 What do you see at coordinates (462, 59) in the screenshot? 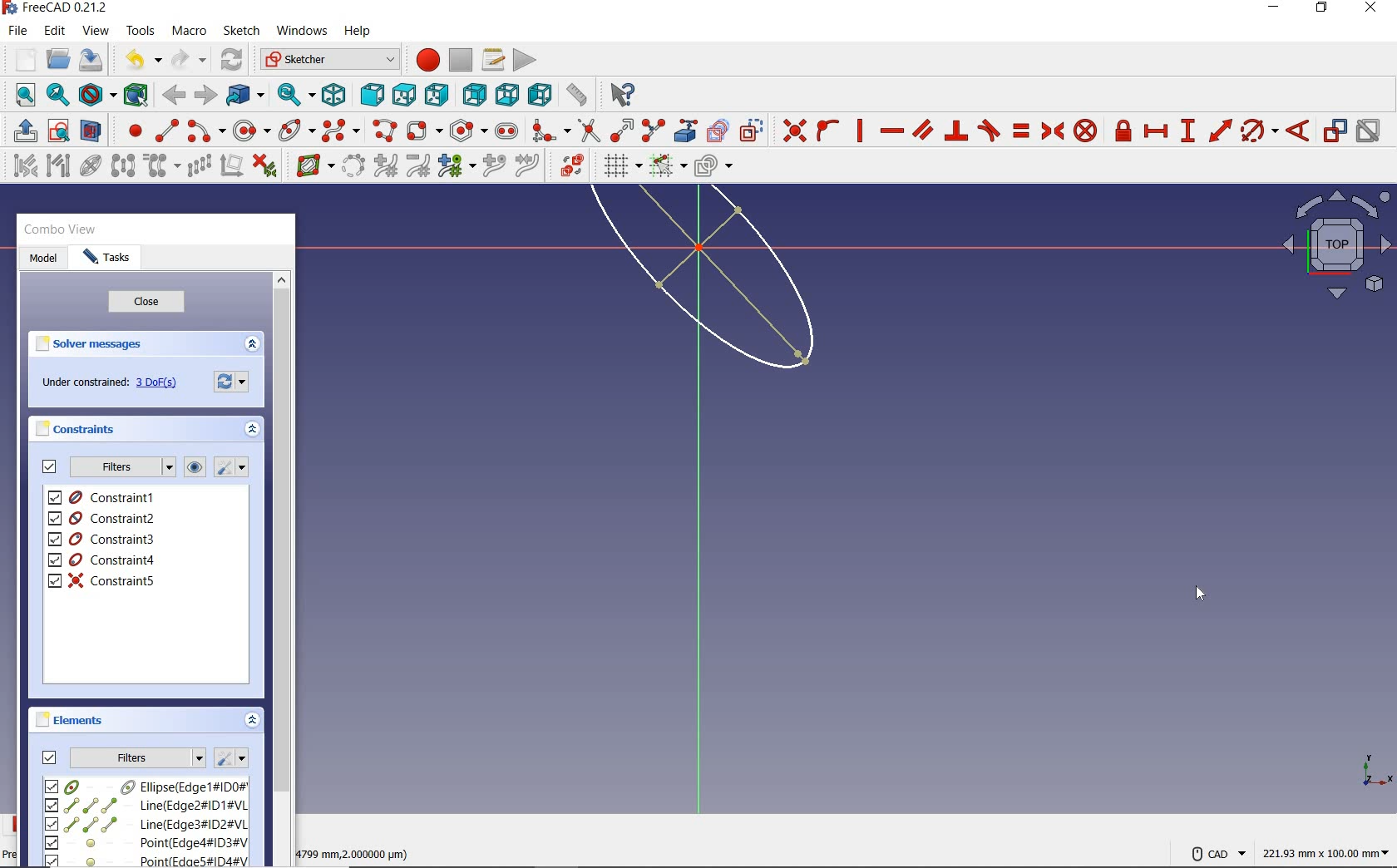
I see `stop macro recording` at bounding box center [462, 59].